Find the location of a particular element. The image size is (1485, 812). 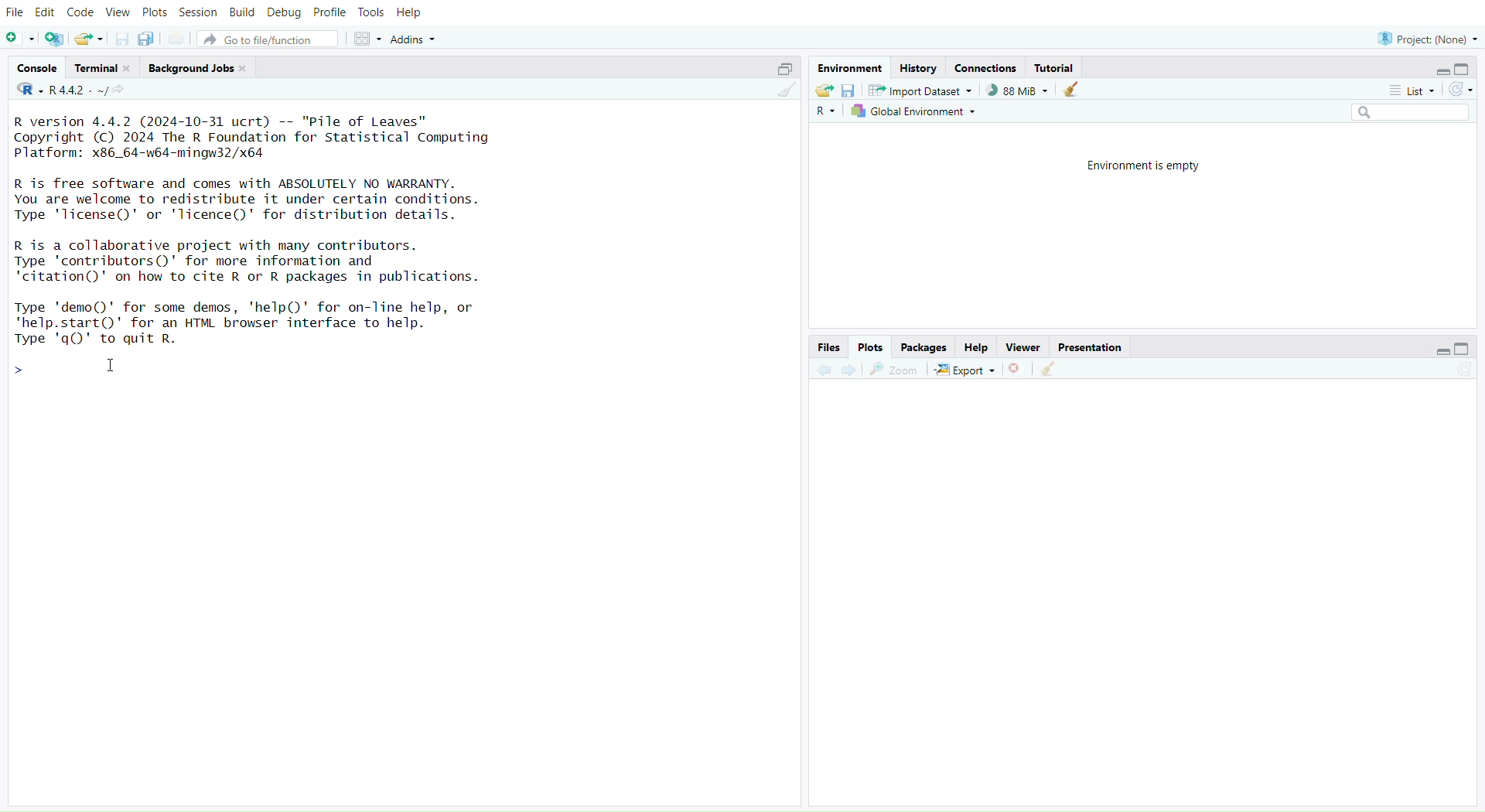

clear objects is located at coordinates (1074, 91).